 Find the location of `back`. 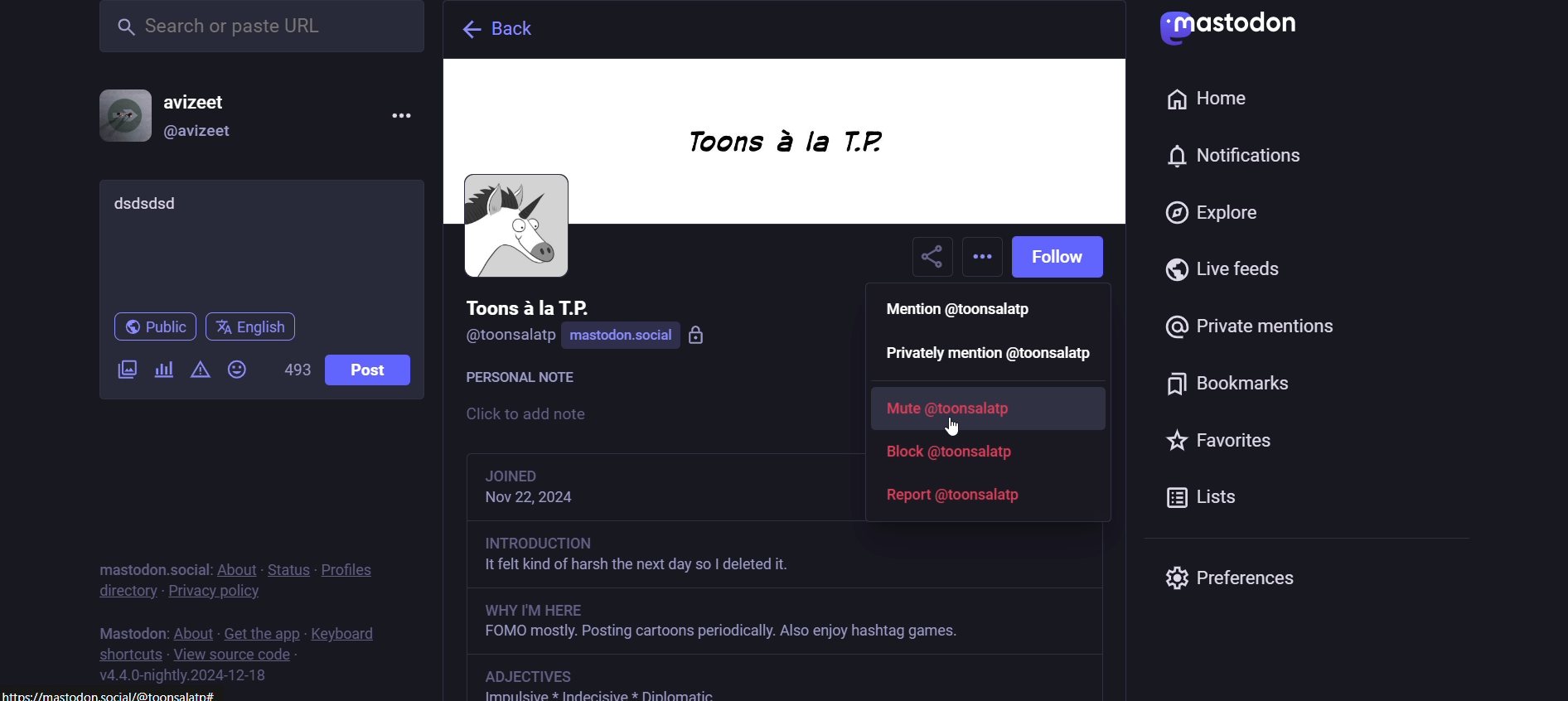

back is located at coordinates (492, 30).